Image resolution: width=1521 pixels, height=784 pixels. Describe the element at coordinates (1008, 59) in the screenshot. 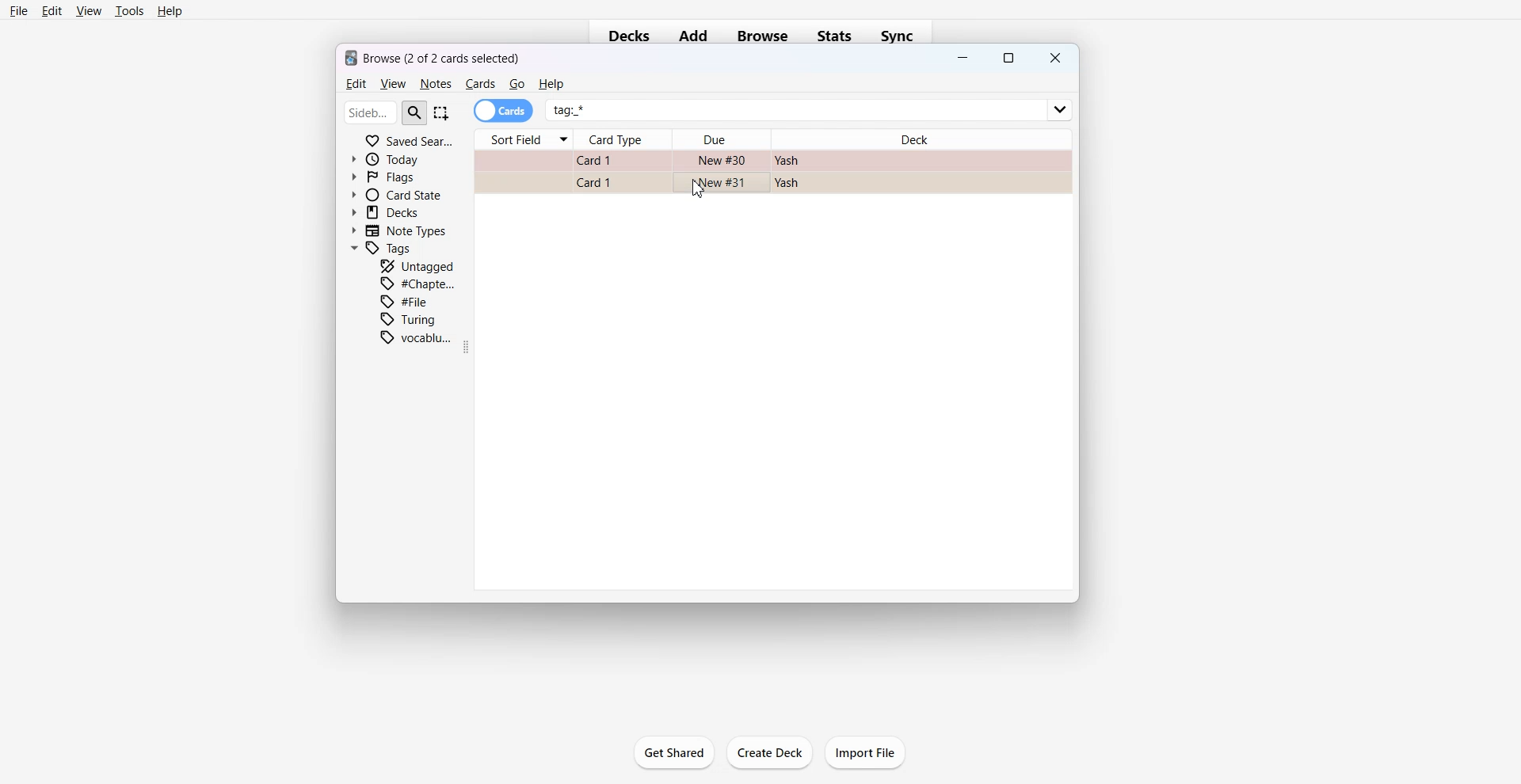

I see `Maximize` at that location.